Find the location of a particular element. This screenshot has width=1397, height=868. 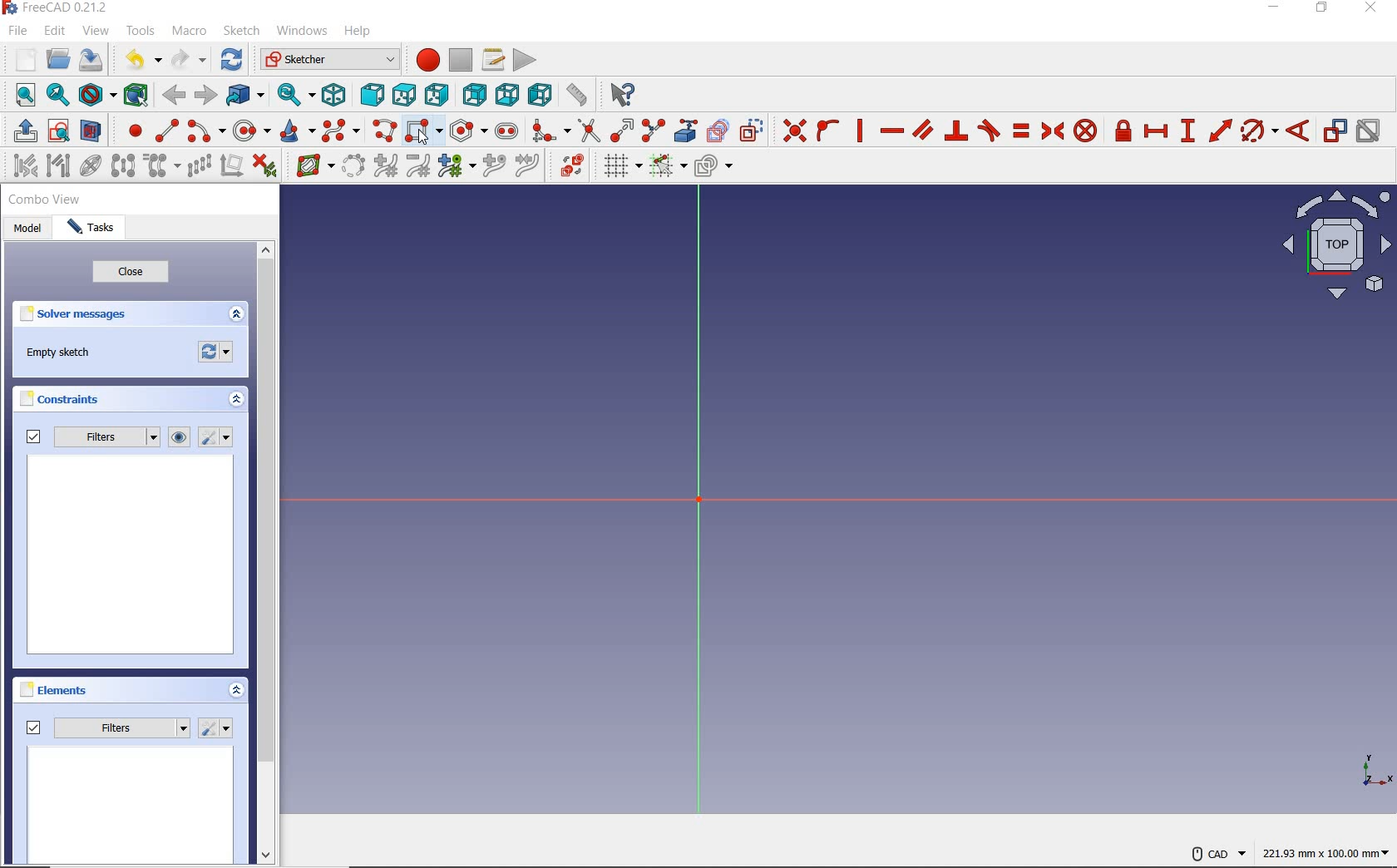

switch between workbenches is located at coordinates (329, 60).